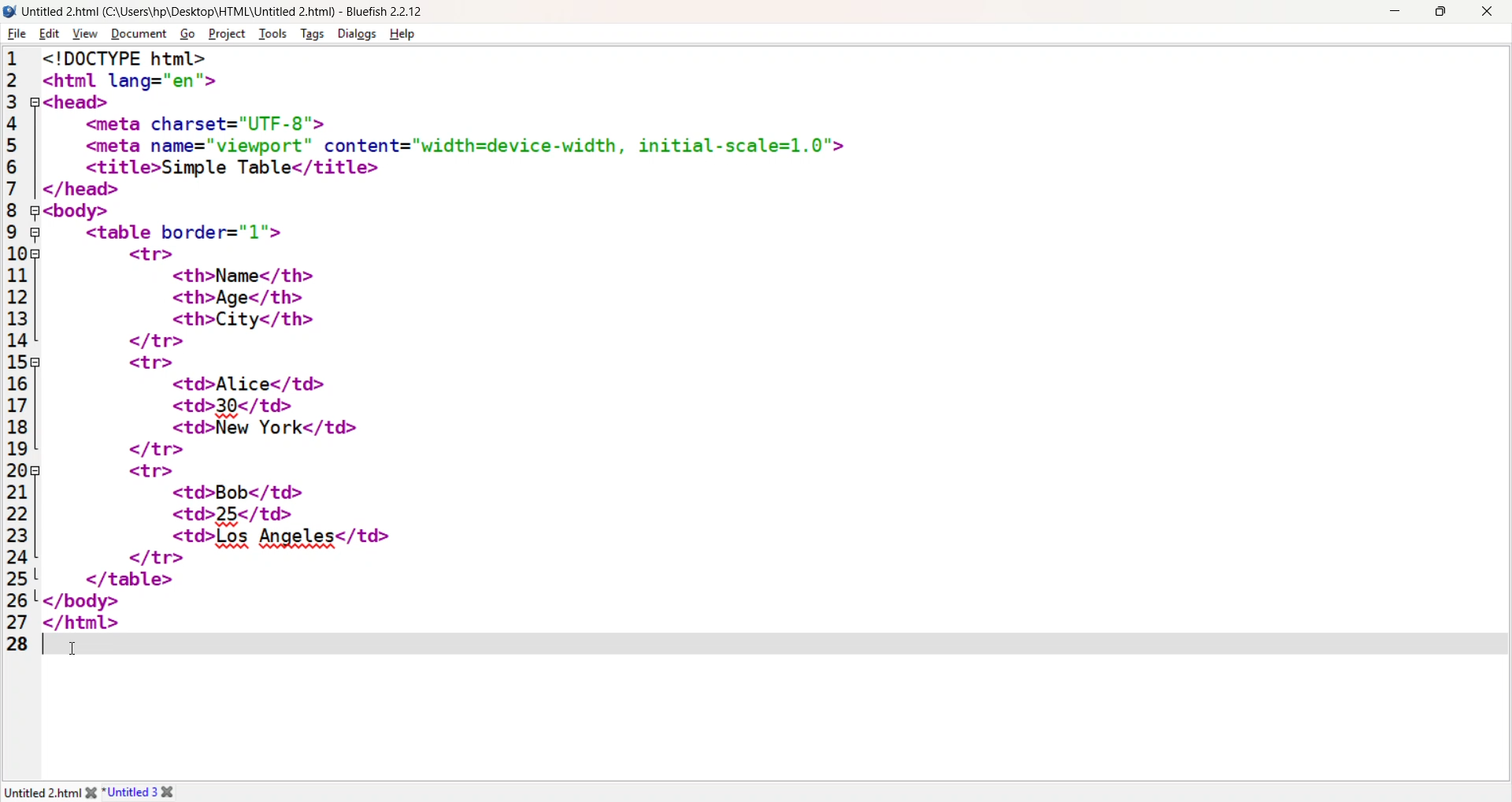 This screenshot has width=1512, height=802. What do you see at coordinates (16, 34) in the screenshot?
I see `File` at bounding box center [16, 34].